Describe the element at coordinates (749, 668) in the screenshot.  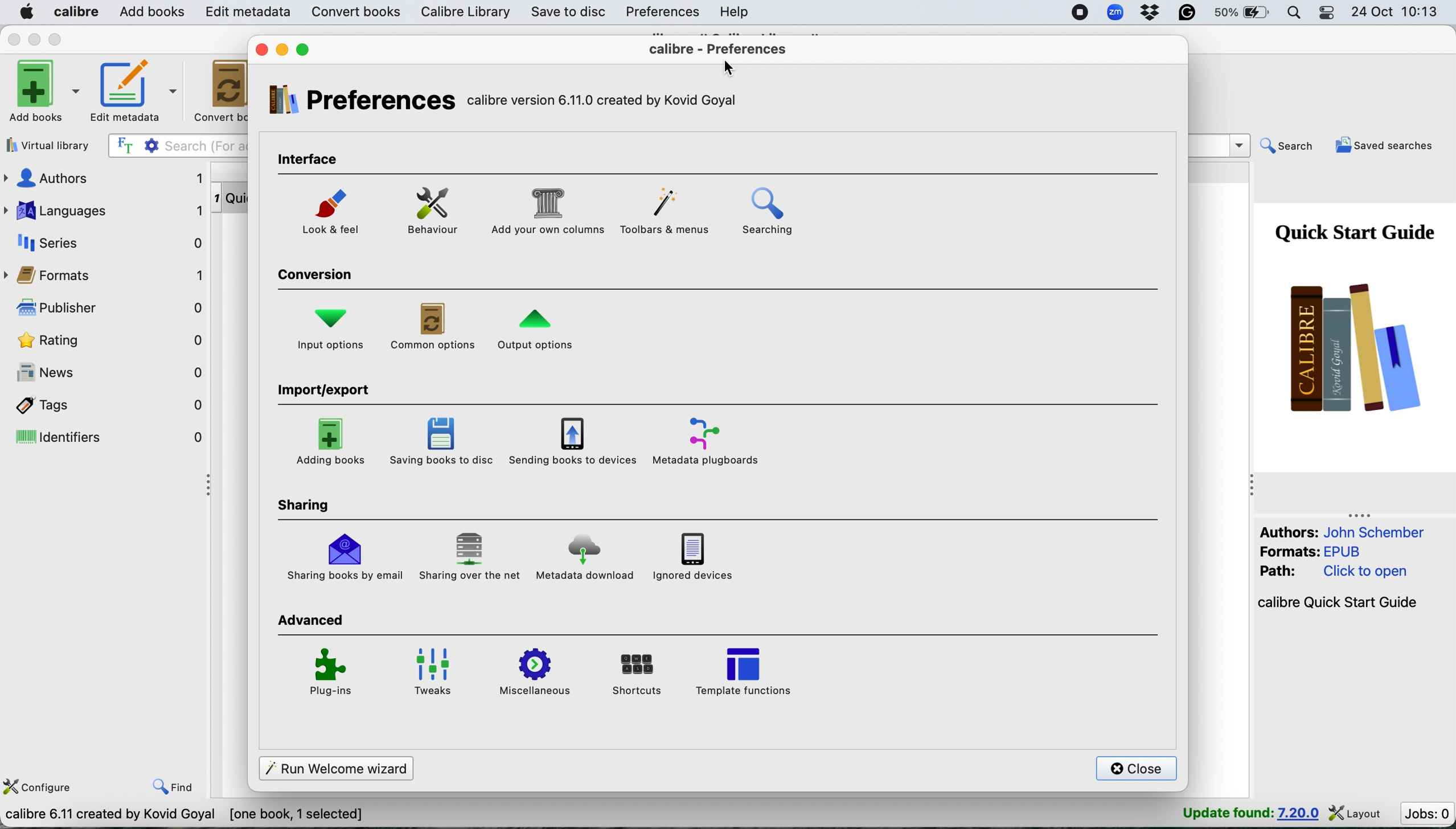
I see `template functions` at that location.